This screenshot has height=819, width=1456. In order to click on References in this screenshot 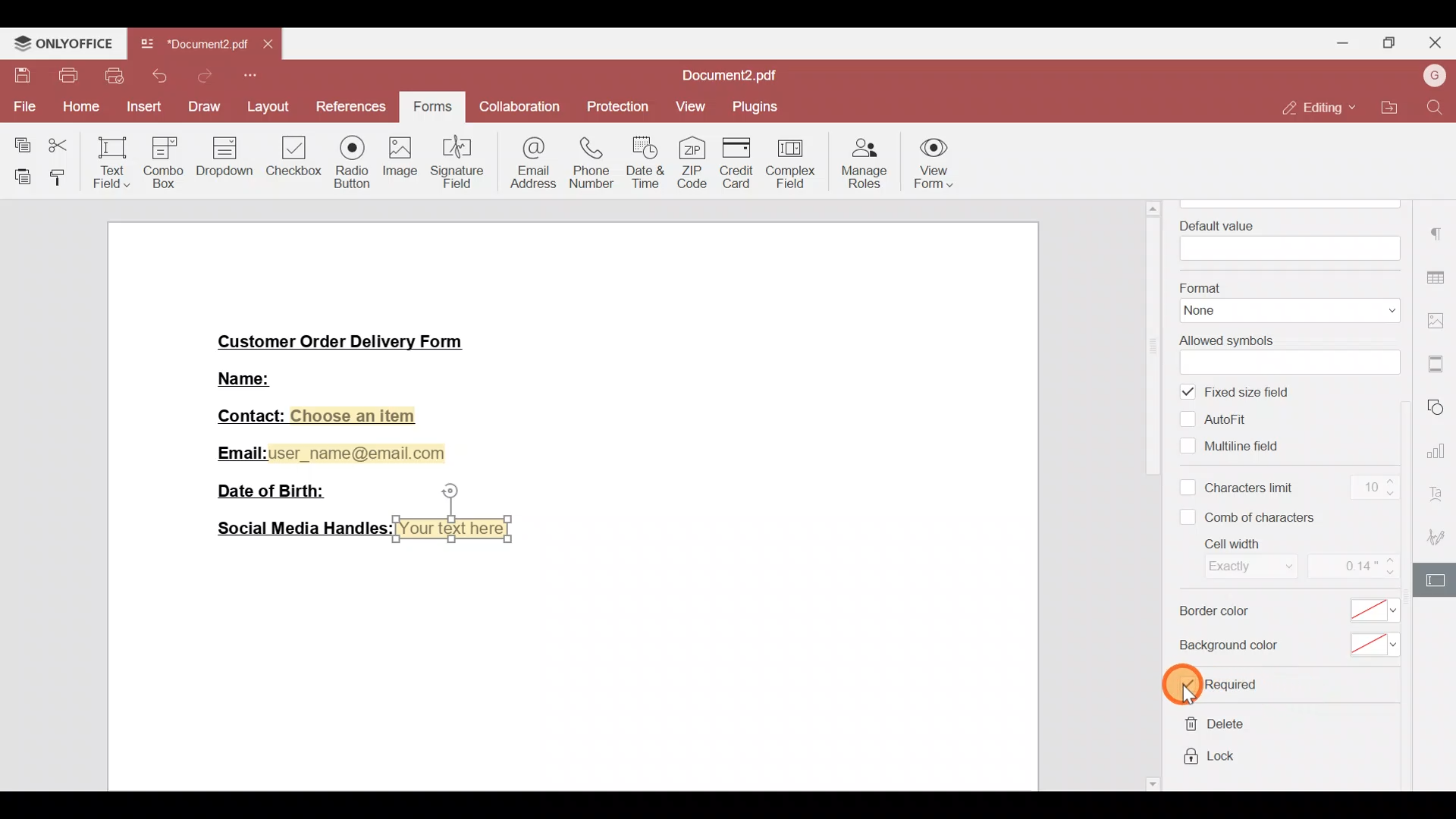, I will do `click(349, 105)`.